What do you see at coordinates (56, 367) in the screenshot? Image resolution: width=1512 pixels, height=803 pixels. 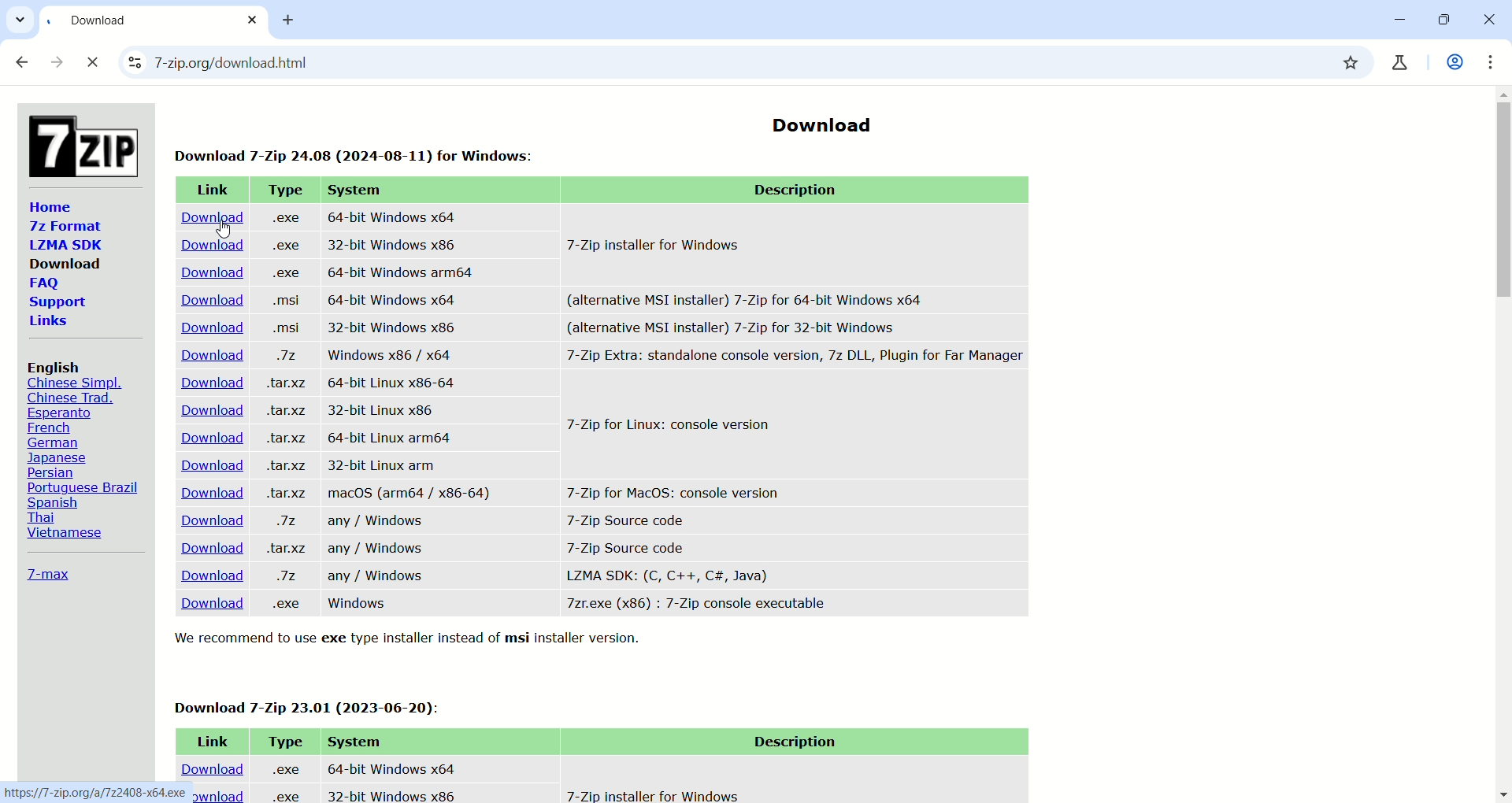 I see `English` at bounding box center [56, 367].